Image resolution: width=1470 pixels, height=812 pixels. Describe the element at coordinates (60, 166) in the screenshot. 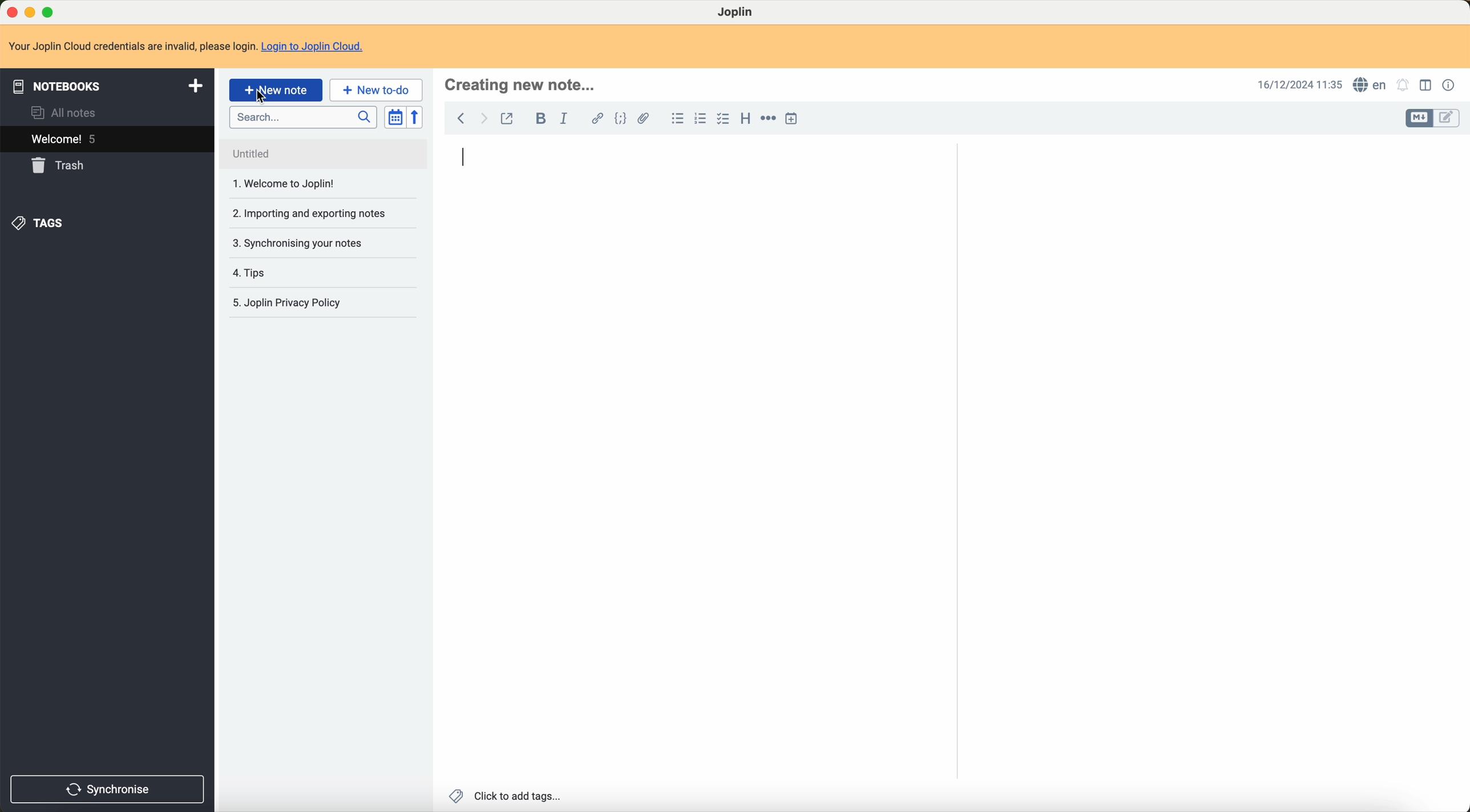

I see `trash` at that location.